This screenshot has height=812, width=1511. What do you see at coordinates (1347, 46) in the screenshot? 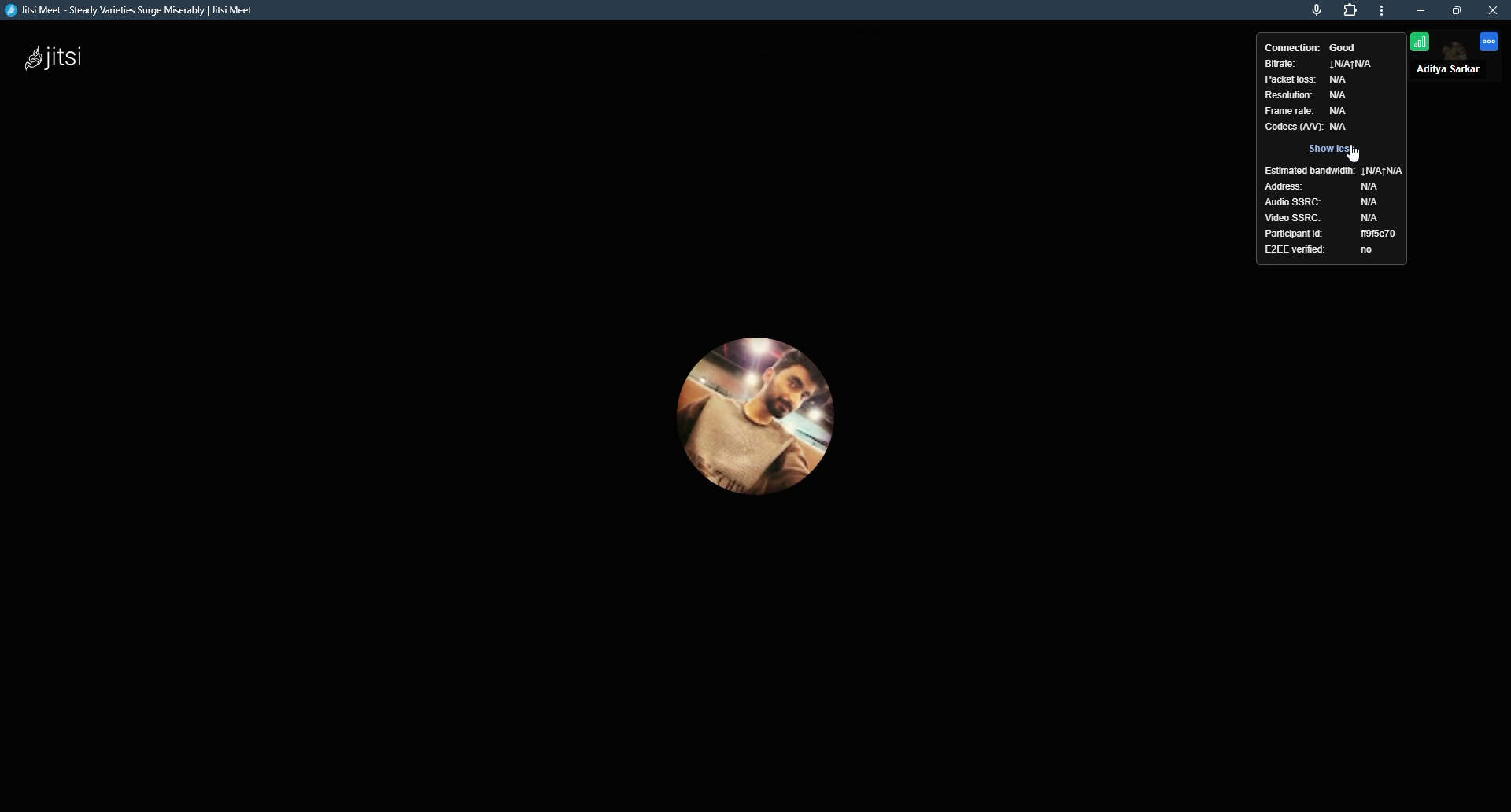
I see `good` at bounding box center [1347, 46].